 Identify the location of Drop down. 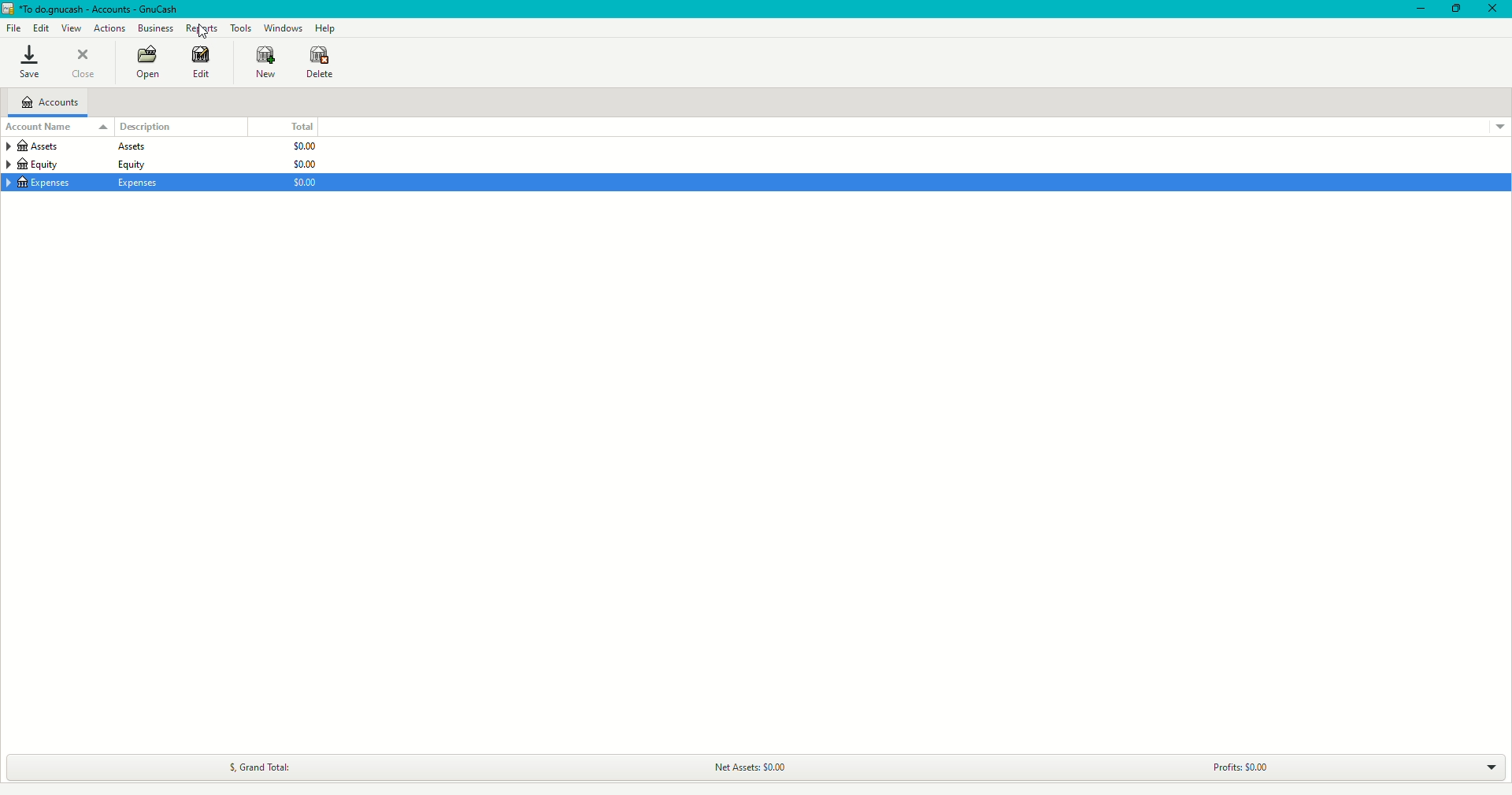
(1501, 126).